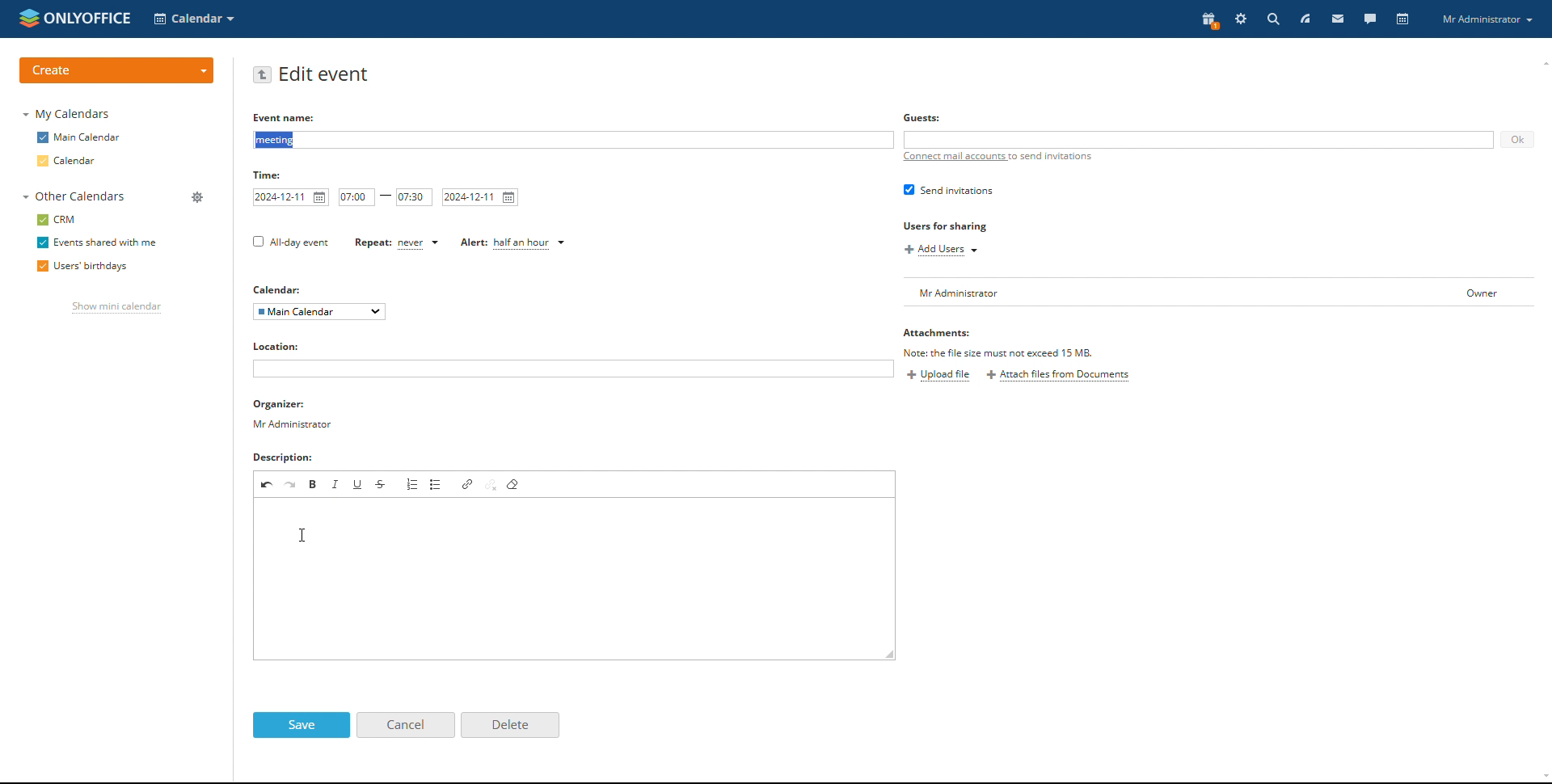 The height and width of the screenshot is (784, 1552). Describe the element at coordinates (1516, 139) in the screenshot. I see `ok` at that location.